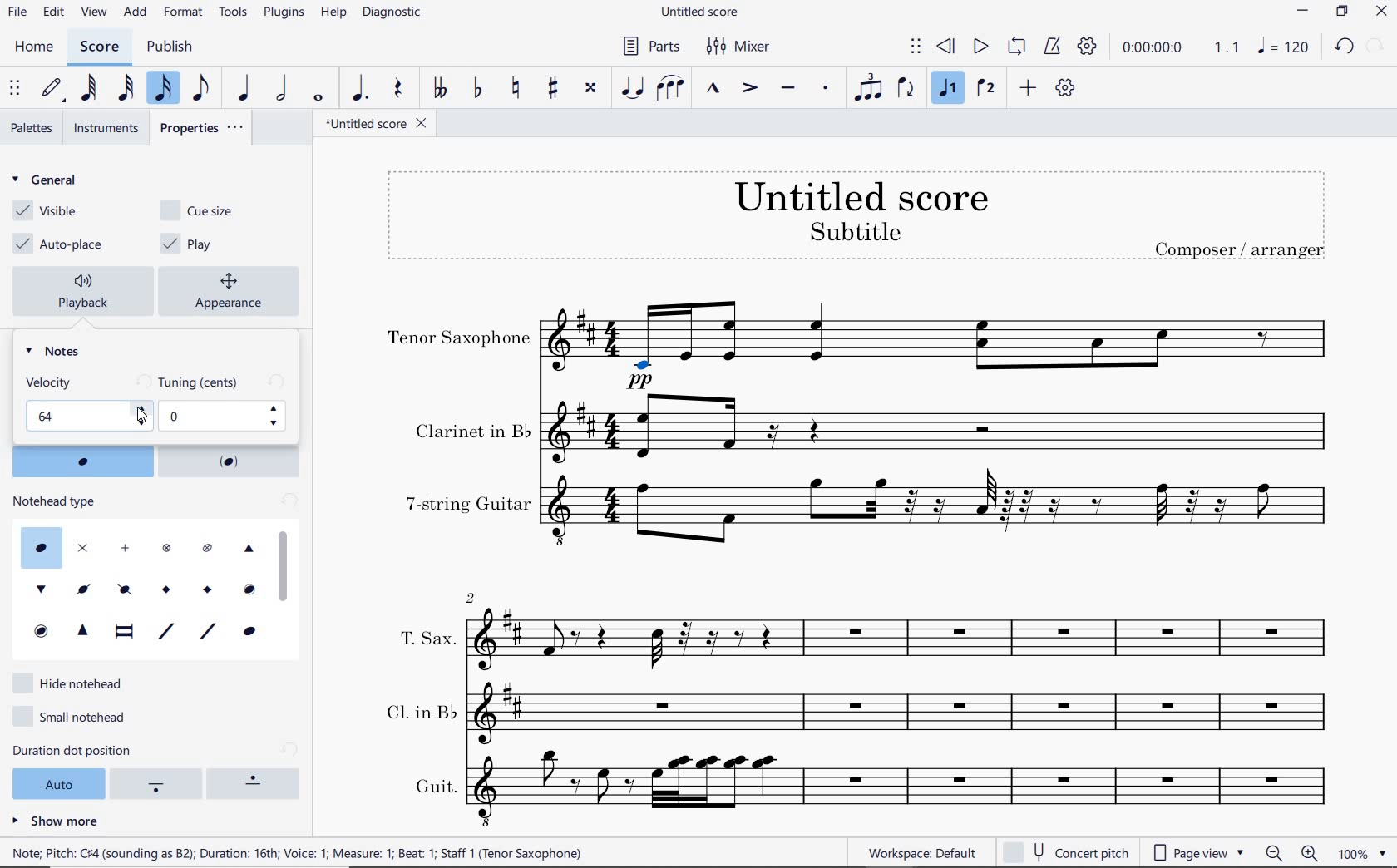  What do you see at coordinates (459, 339) in the screenshot?
I see `text` at bounding box center [459, 339].